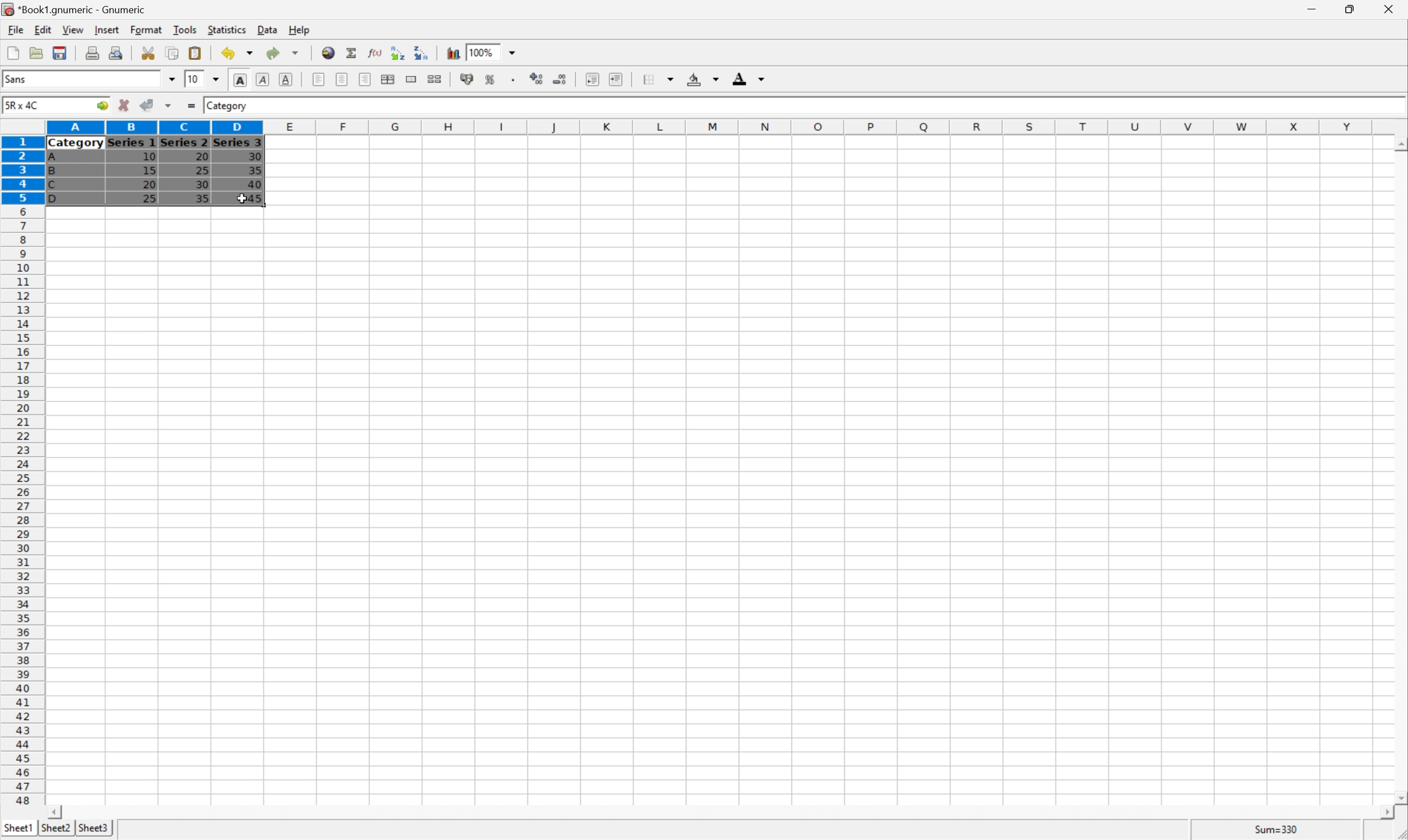  What do you see at coordinates (149, 157) in the screenshot?
I see `10` at bounding box center [149, 157].